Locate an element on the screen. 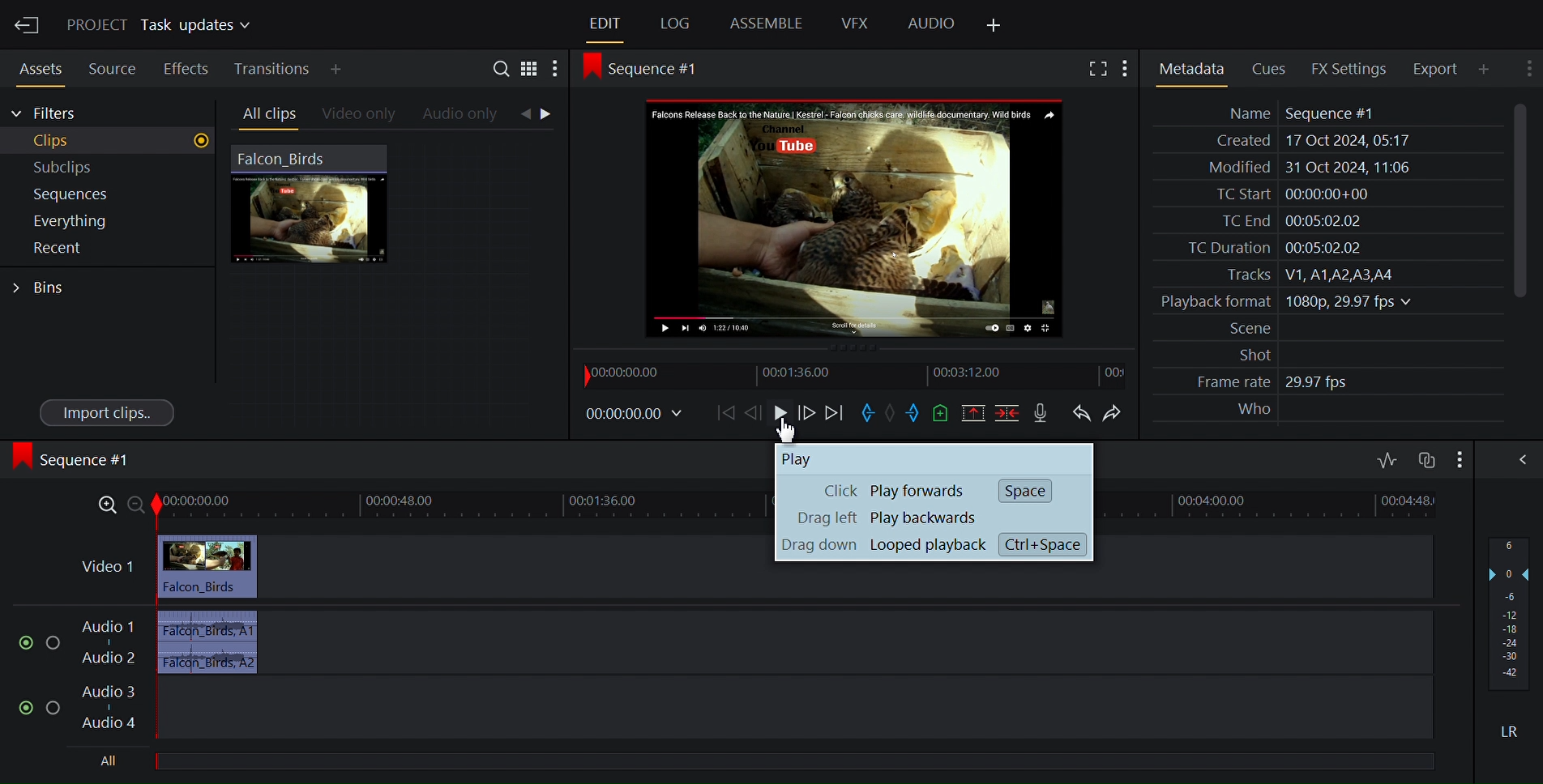 This screenshot has width=1543, height=784. Exit Current Project is located at coordinates (28, 26).